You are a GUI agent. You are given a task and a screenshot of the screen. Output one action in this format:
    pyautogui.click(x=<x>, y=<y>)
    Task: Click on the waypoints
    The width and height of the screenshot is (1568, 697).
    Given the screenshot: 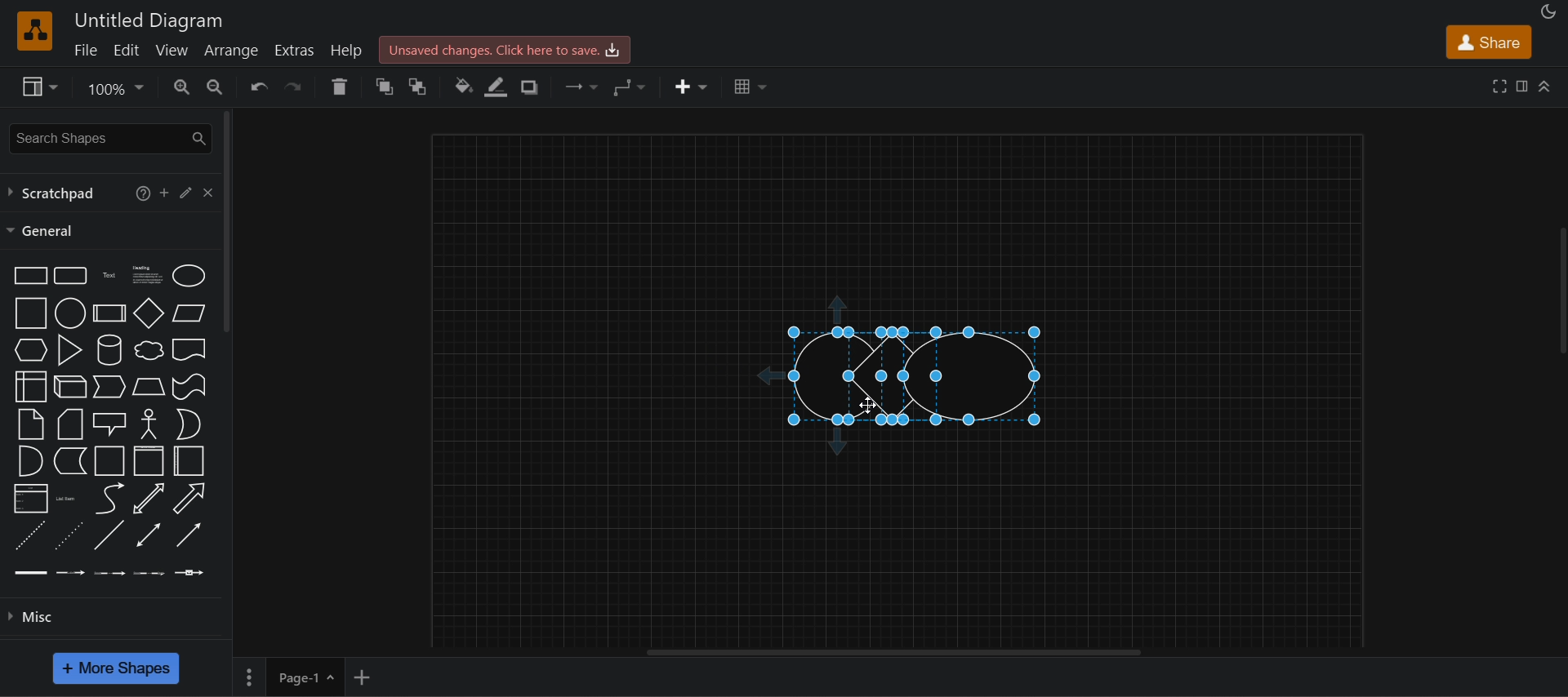 What is the action you would take?
    pyautogui.click(x=630, y=87)
    